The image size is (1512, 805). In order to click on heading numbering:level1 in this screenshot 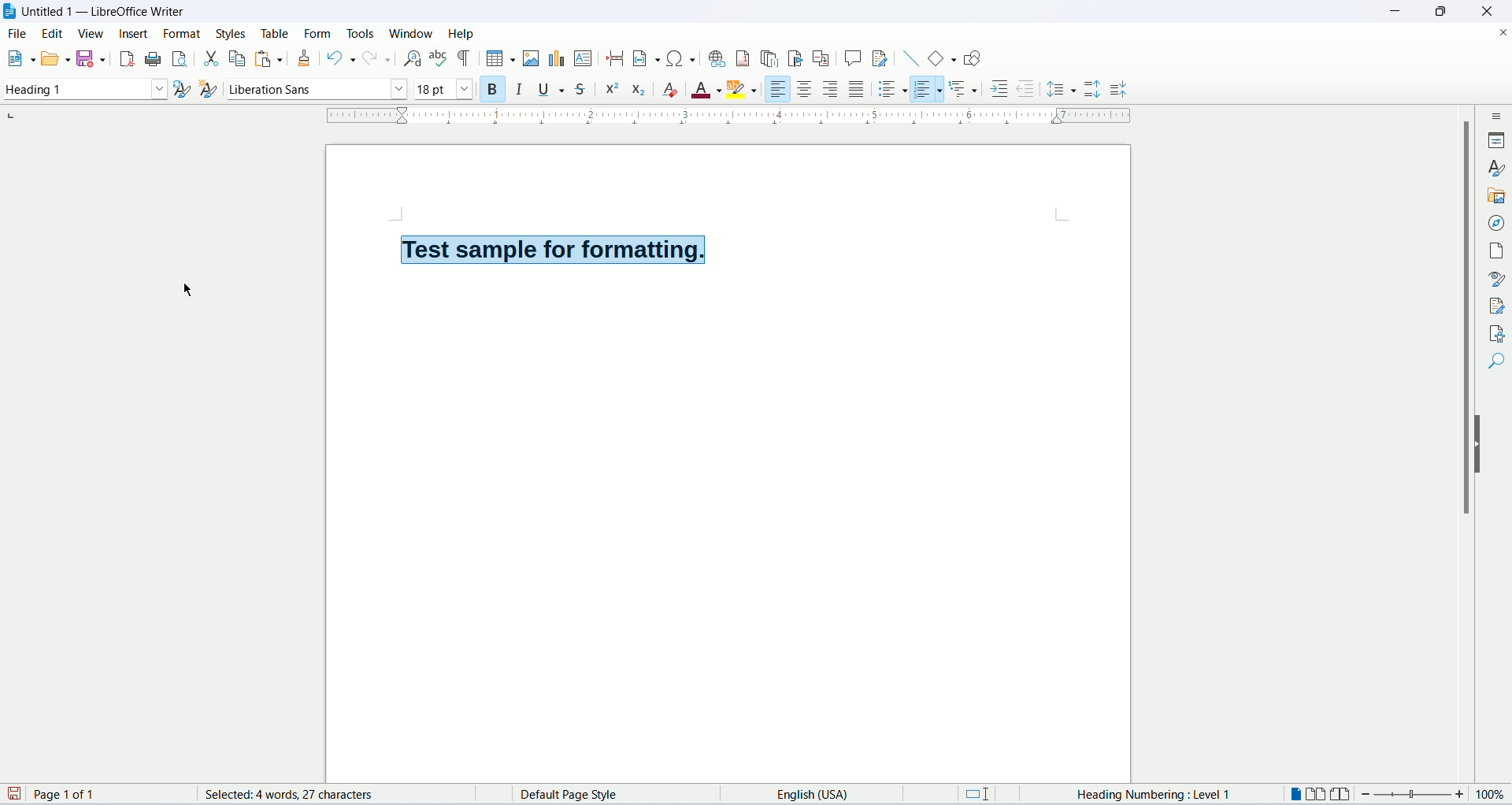, I will do `click(1151, 796)`.